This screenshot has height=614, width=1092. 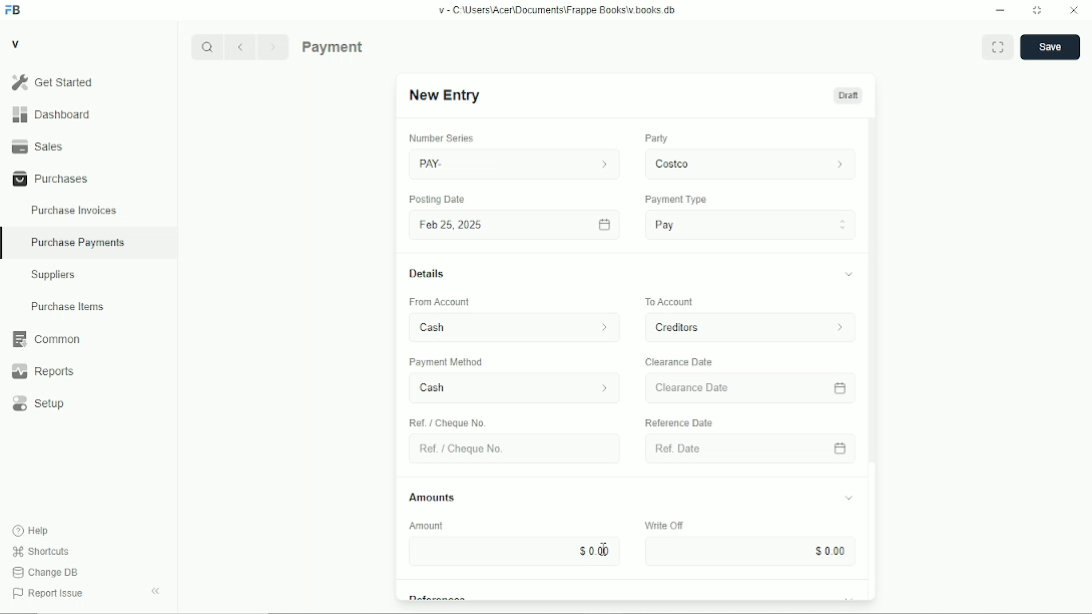 I want to click on Gel Started, so click(x=88, y=82).